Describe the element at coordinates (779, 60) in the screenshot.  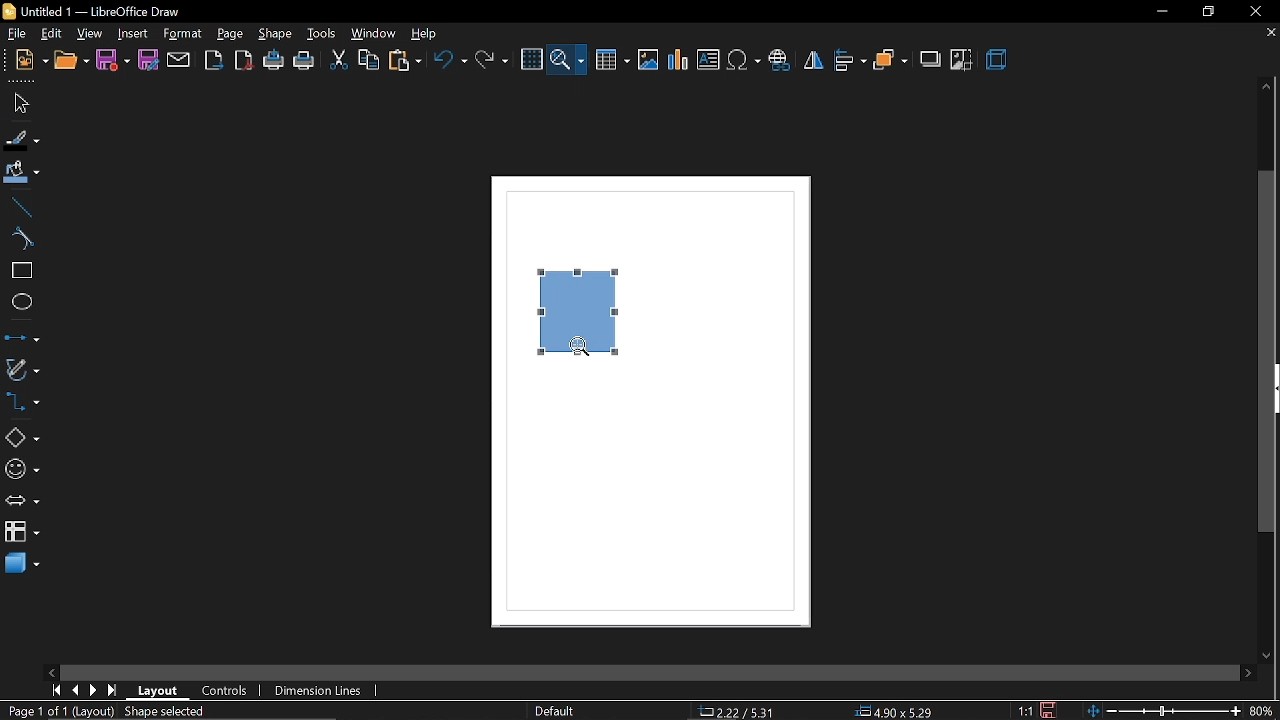
I see `Insert hyperlink` at that location.